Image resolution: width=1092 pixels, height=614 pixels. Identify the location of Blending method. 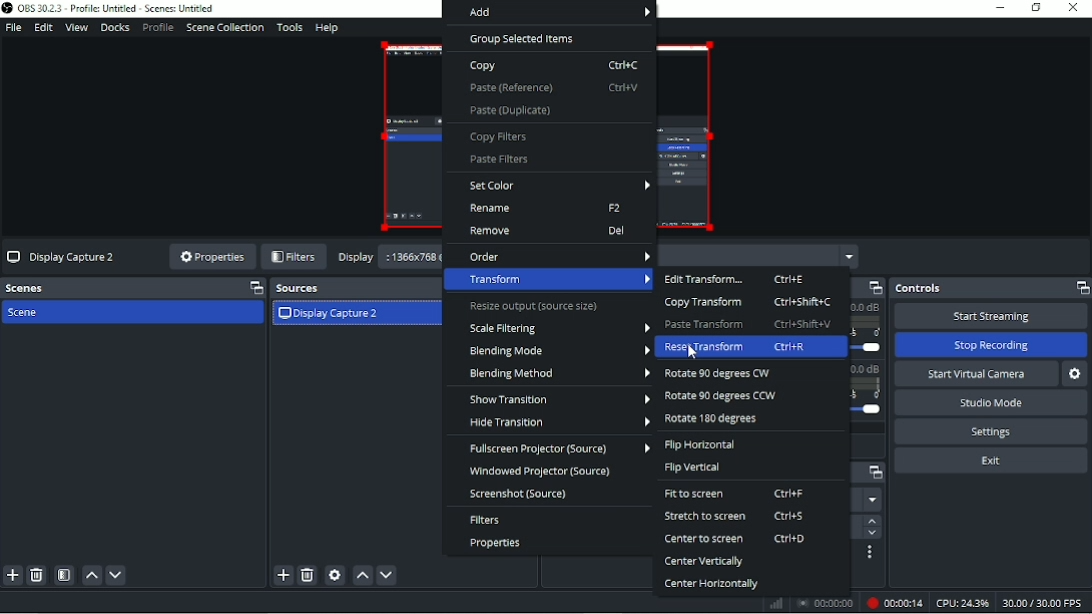
(558, 374).